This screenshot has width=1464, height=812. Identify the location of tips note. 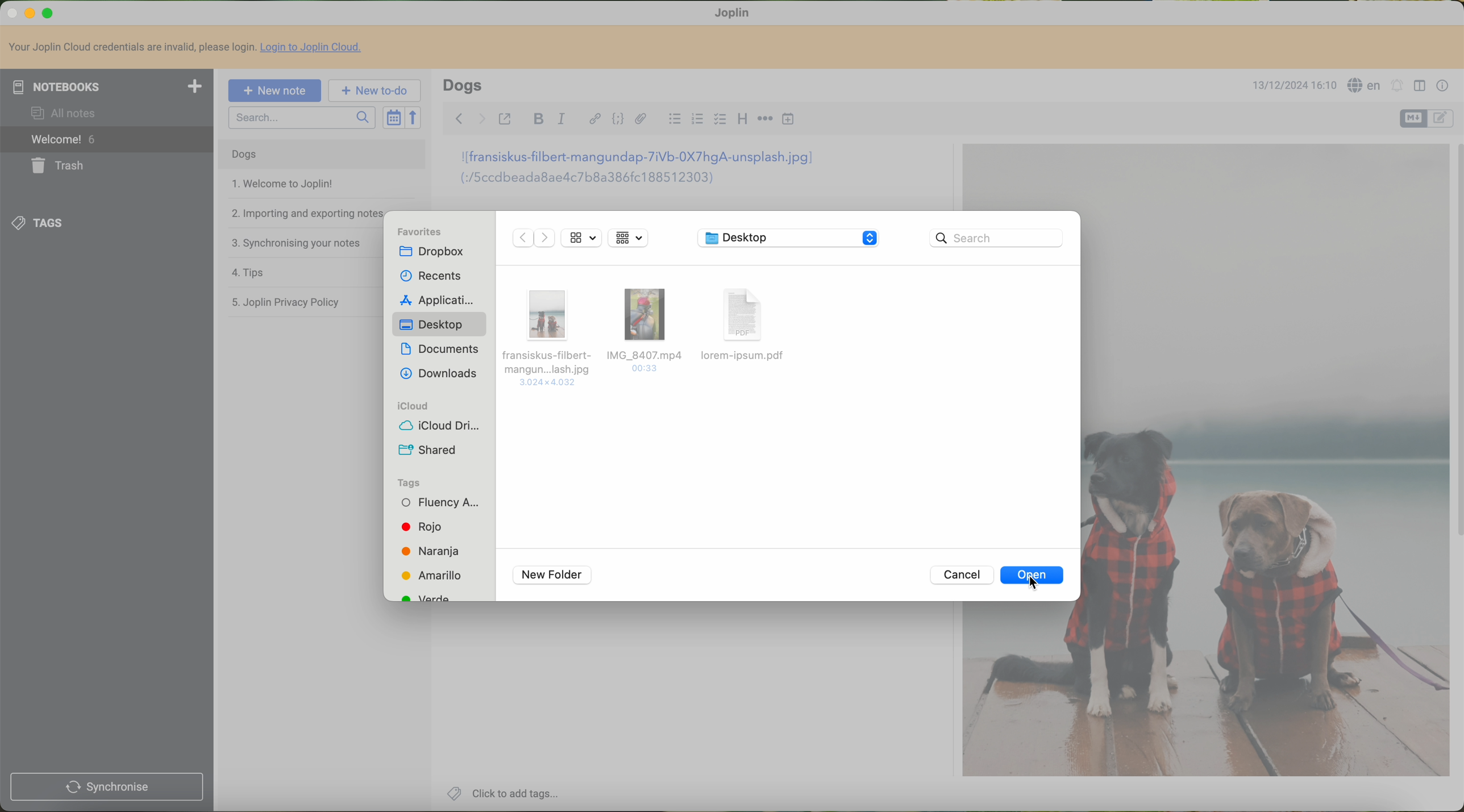
(252, 272).